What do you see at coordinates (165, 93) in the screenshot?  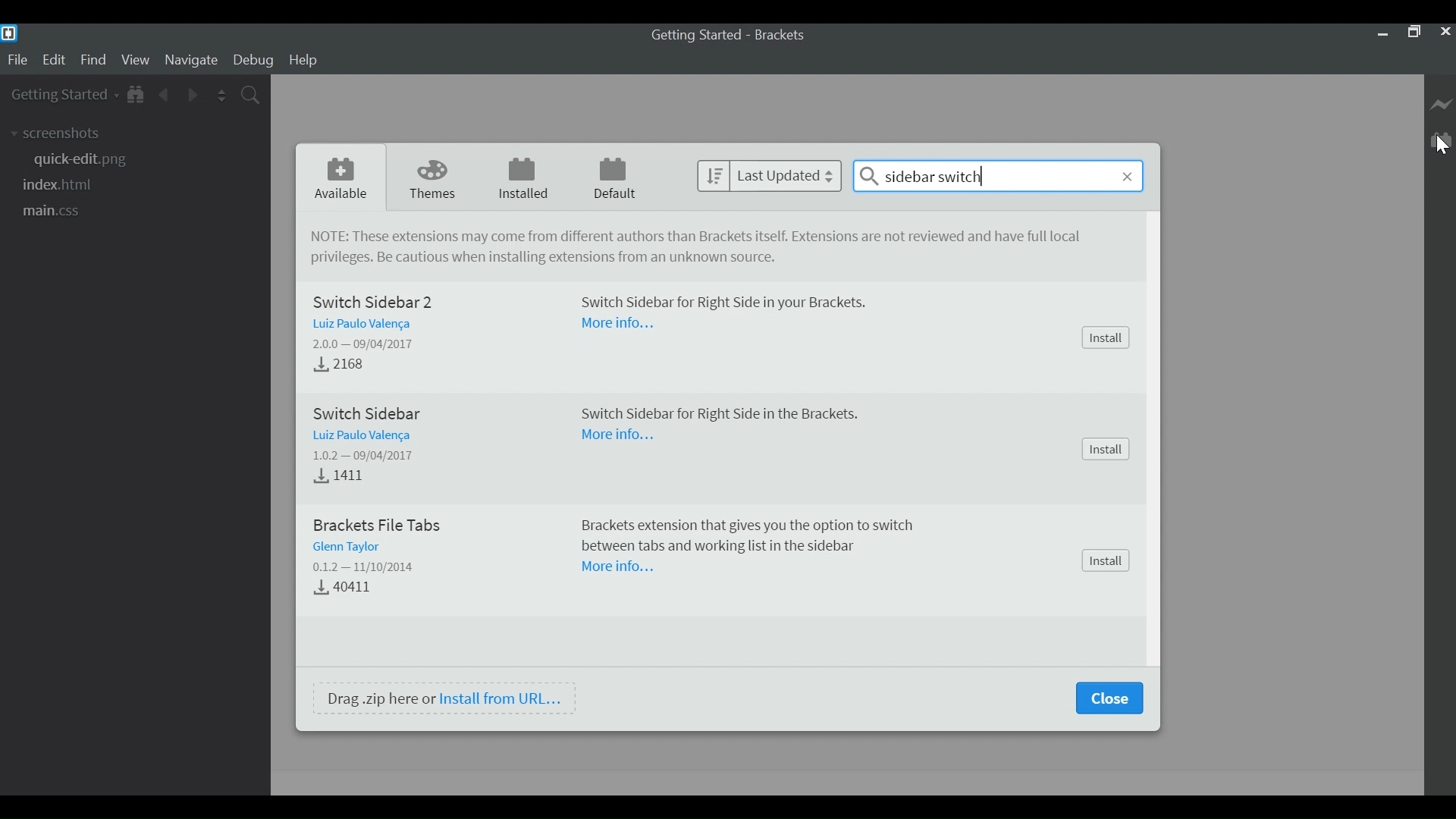 I see `Navigate Back` at bounding box center [165, 93].